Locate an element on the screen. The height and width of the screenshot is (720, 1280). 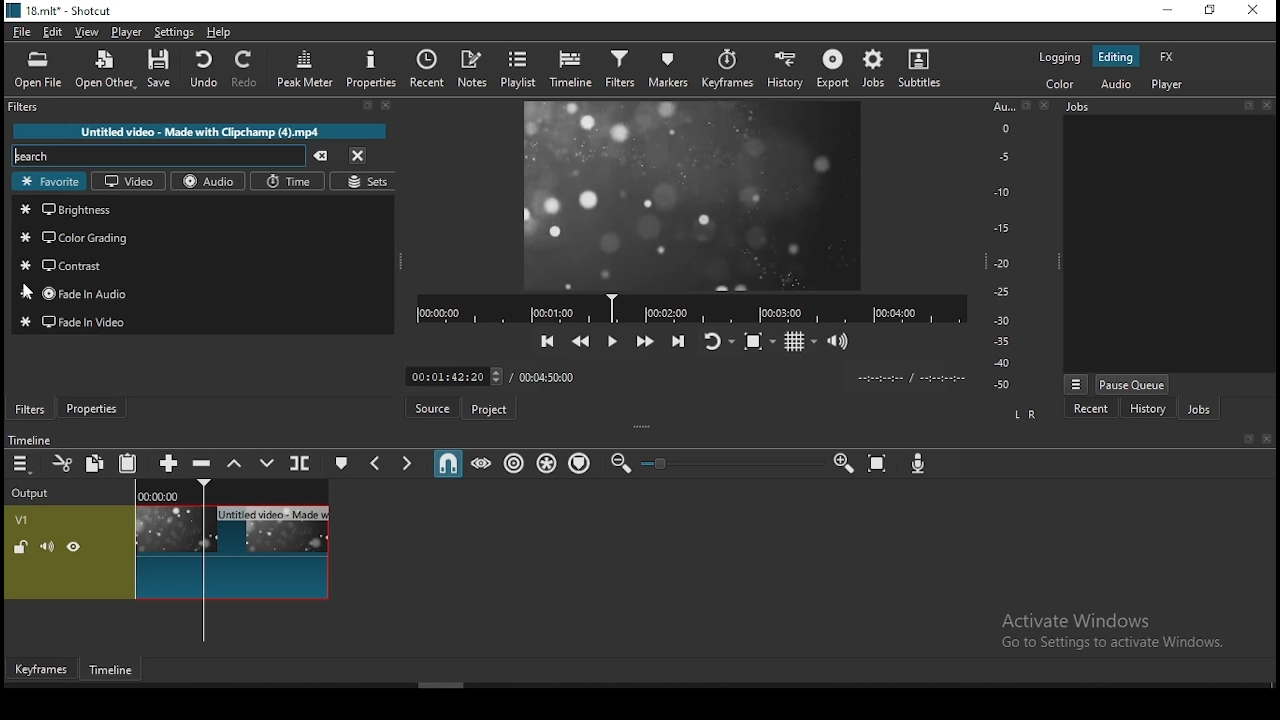
close menu is located at coordinates (359, 155).